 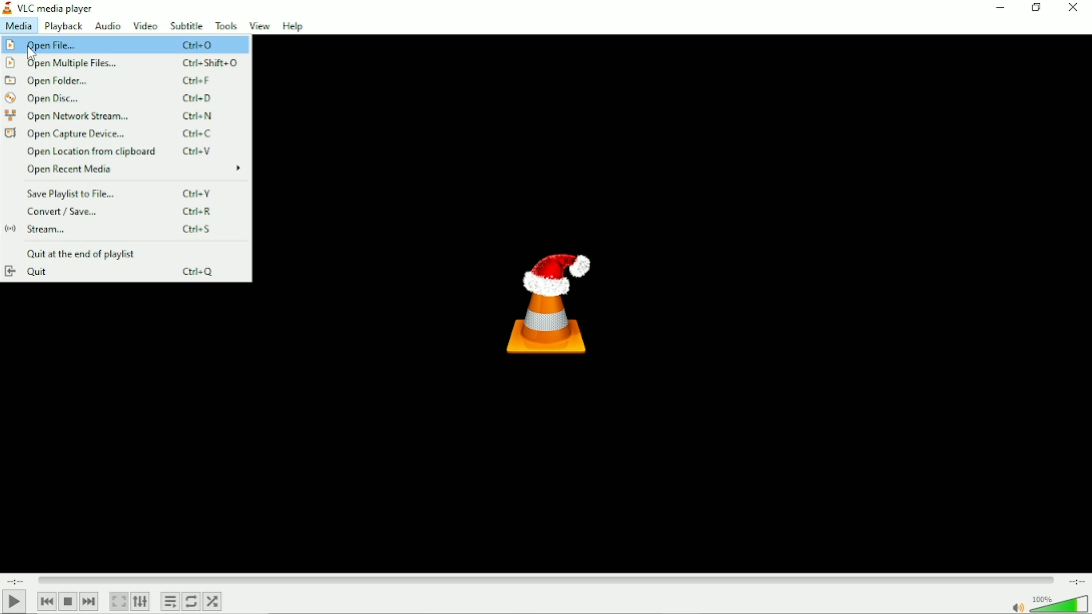 What do you see at coordinates (121, 153) in the screenshot?
I see `Open location from clipboard` at bounding box center [121, 153].